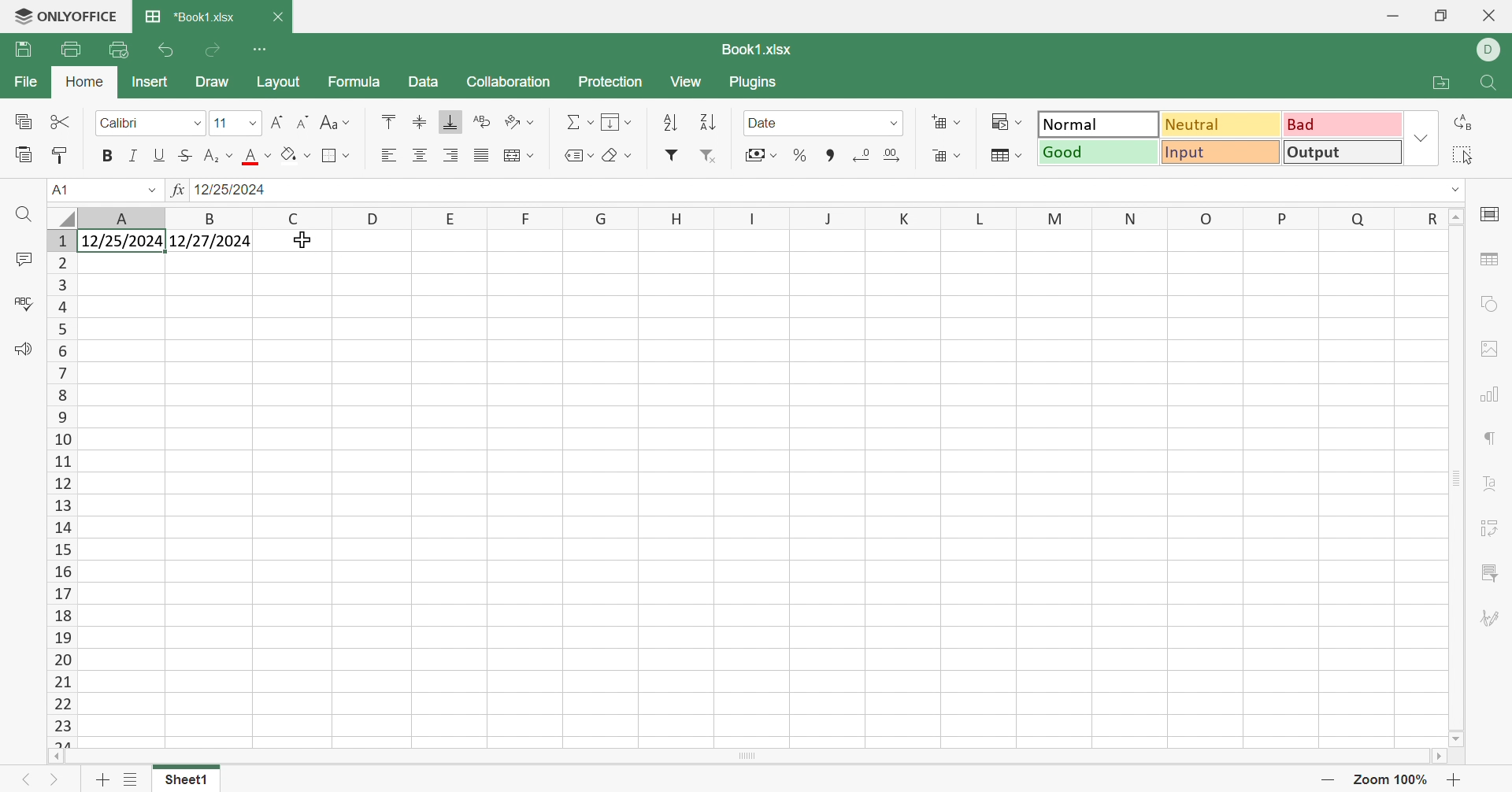 This screenshot has width=1512, height=792. What do you see at coordinates (510, 81) in the screenshot?
I see `Collaboration` at bounding box center [510, 81].